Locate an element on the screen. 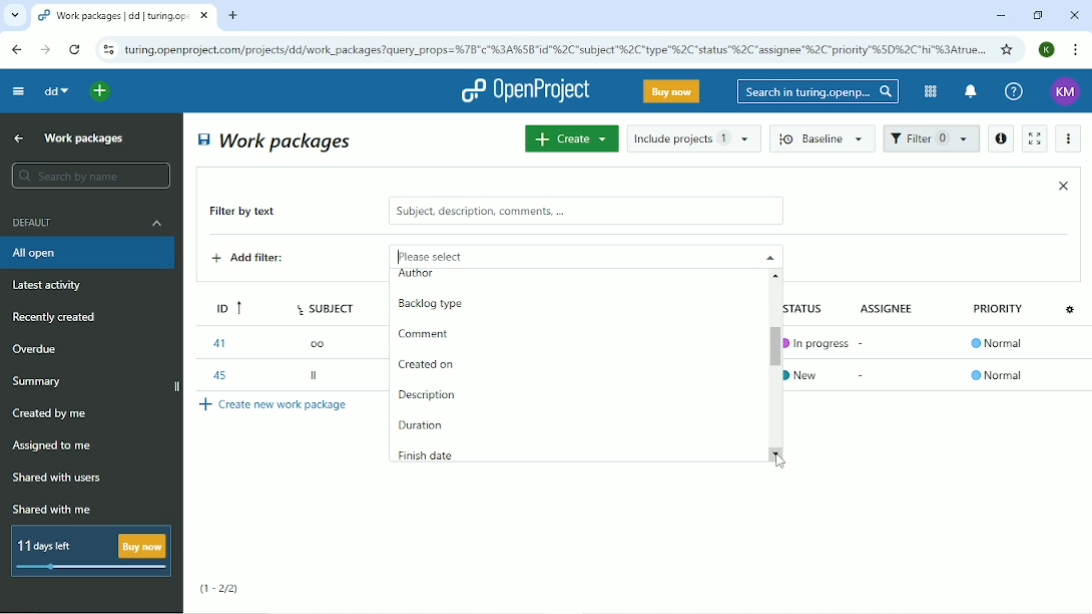 The height and width of the screenshot is (614, 1092). Add filter is located at coordinates (263, 260).